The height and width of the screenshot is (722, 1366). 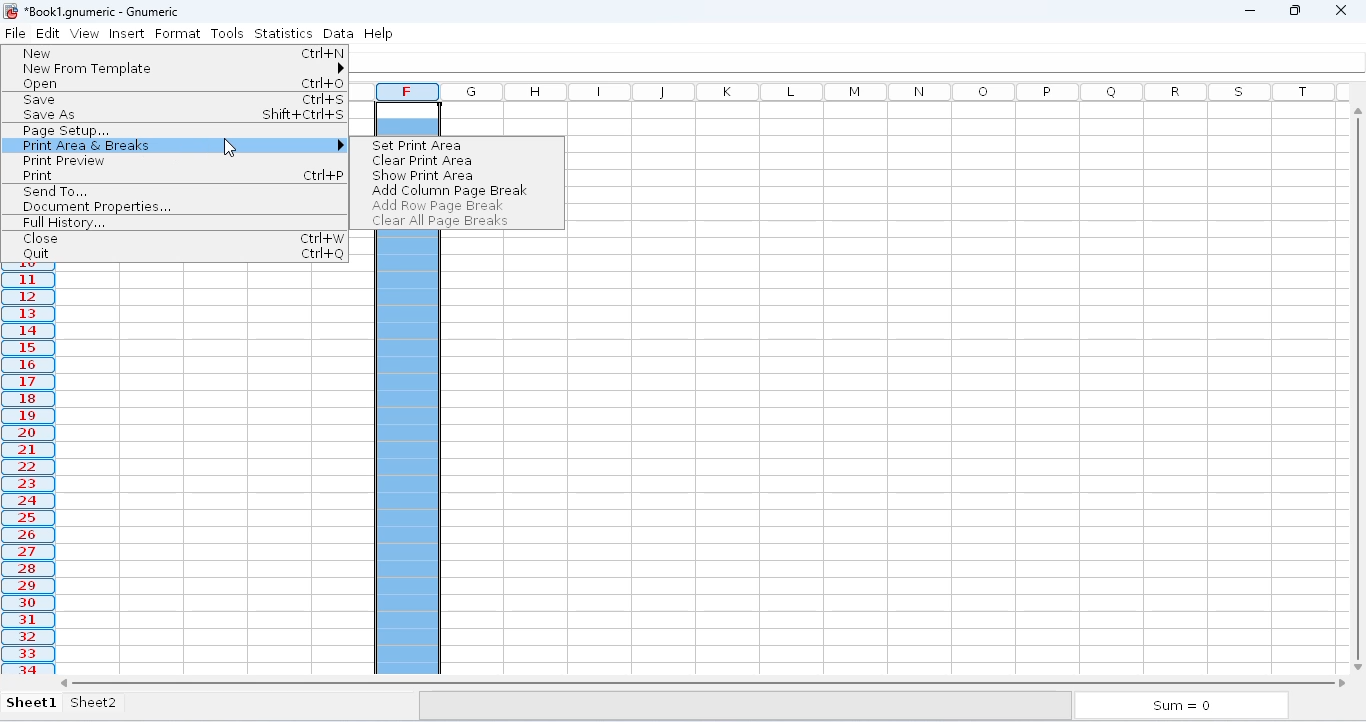 What do you see at coordinates (89, 34) in the screenshot?
I see `view` at bounding box center [89, 34].